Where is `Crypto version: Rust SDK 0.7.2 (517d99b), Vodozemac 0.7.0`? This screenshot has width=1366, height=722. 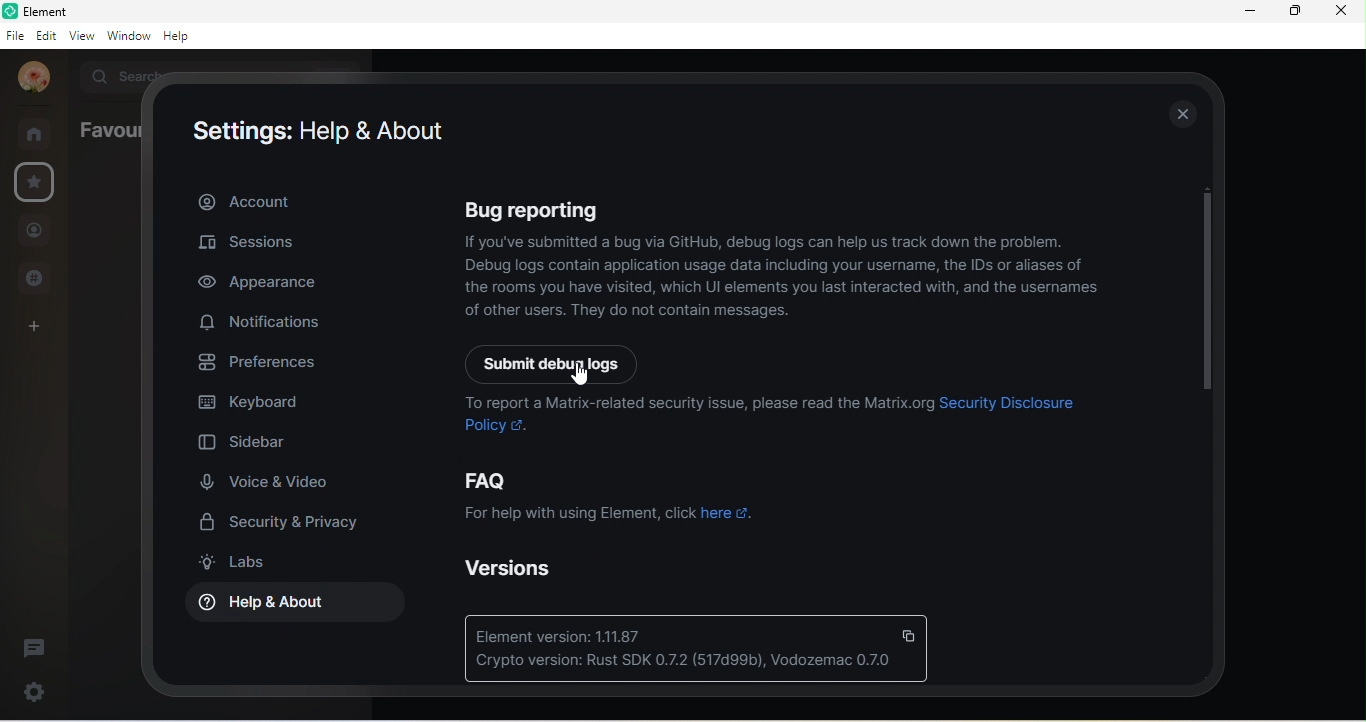 Crypto version: Rust SDK 0.7.2 (517d99b), Vodozemac 0.7.0 is located at coordinates (687, 664).